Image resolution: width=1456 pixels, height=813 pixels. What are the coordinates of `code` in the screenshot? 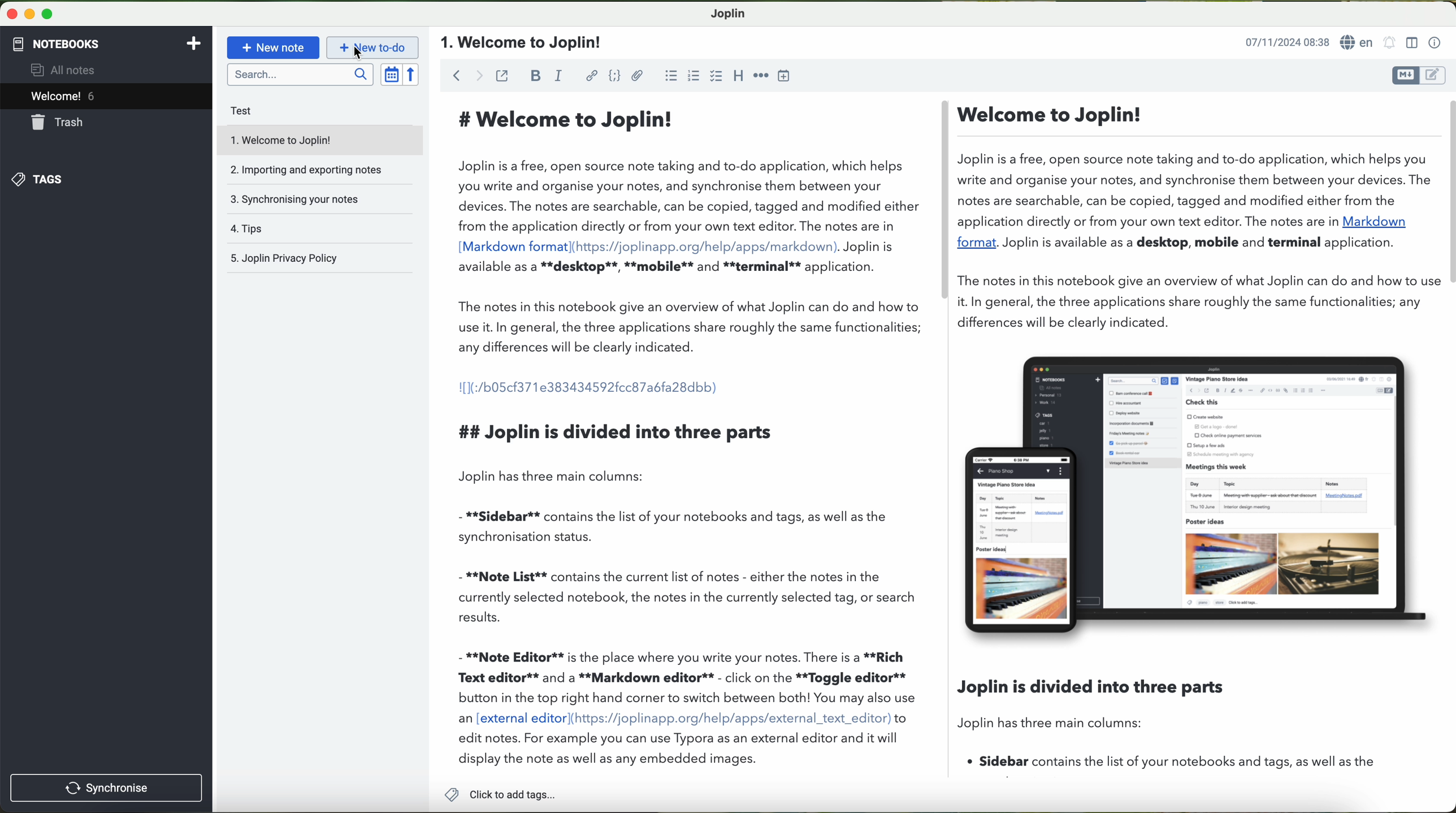 It's located at (615, 75).